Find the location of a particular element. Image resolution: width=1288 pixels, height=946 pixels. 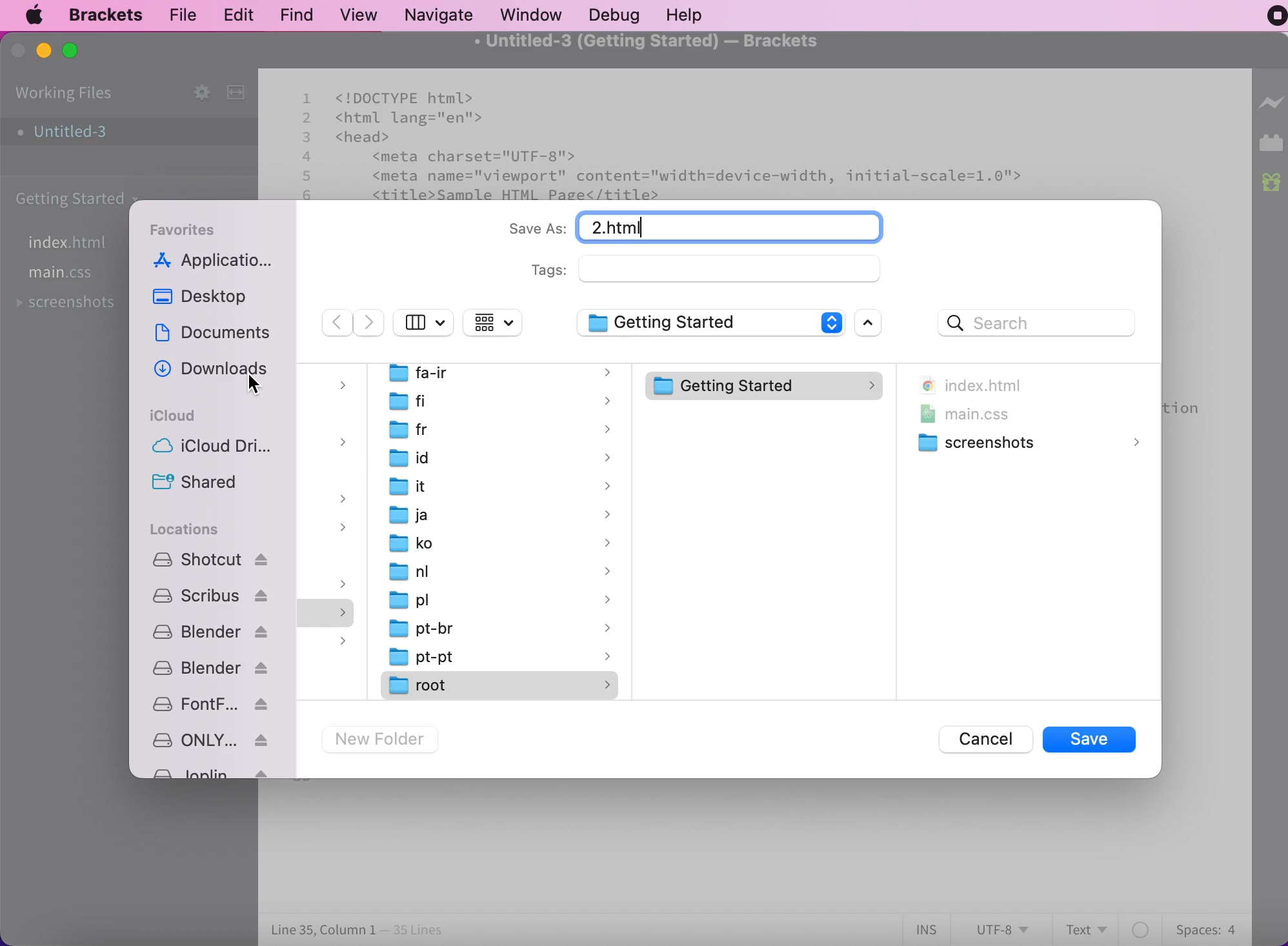

dropdown is located at coordinates (343, 498).